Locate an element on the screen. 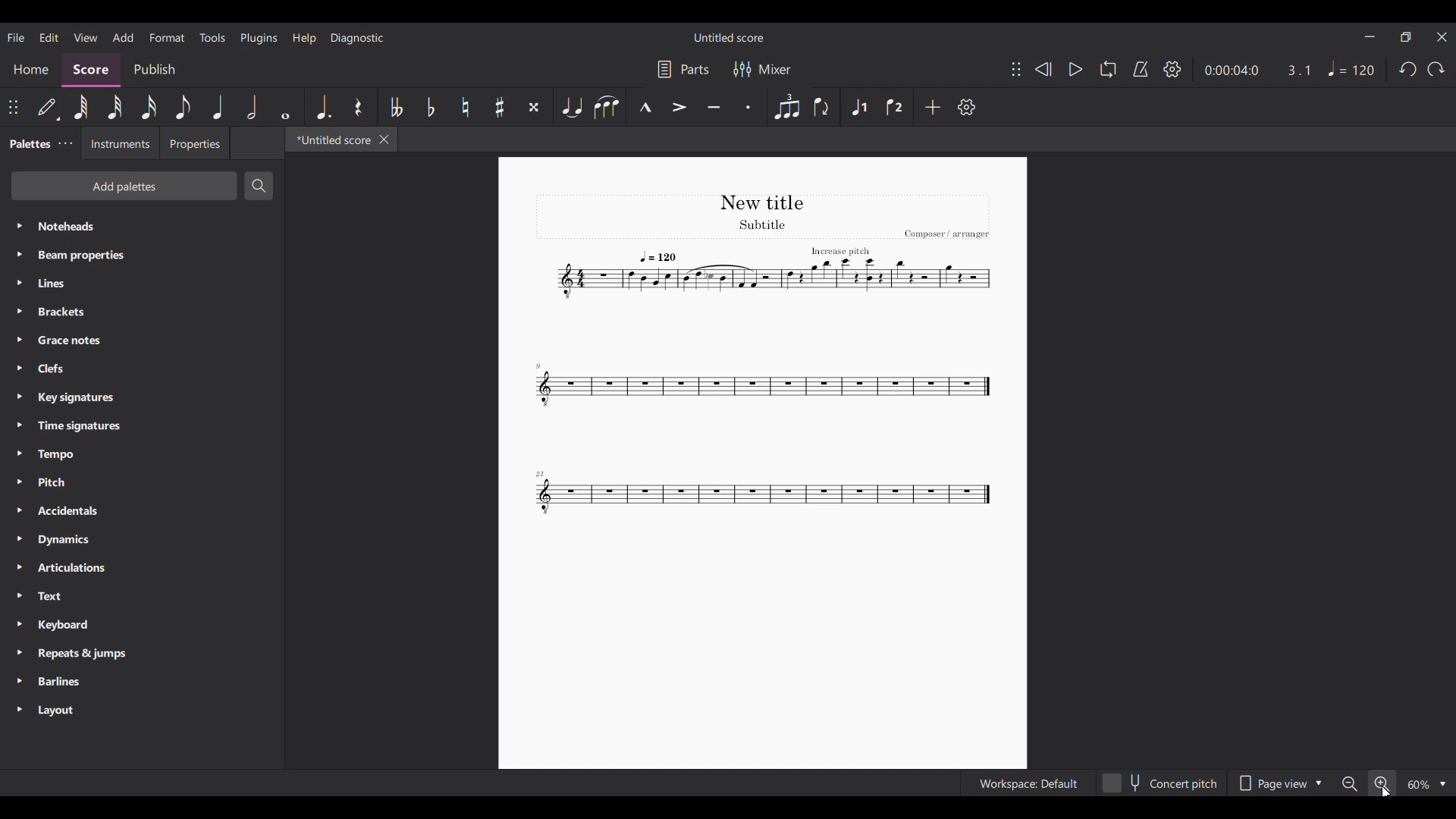 This screenshot has height=819, width=1456. Help menu is located at coordinates (305, 39).